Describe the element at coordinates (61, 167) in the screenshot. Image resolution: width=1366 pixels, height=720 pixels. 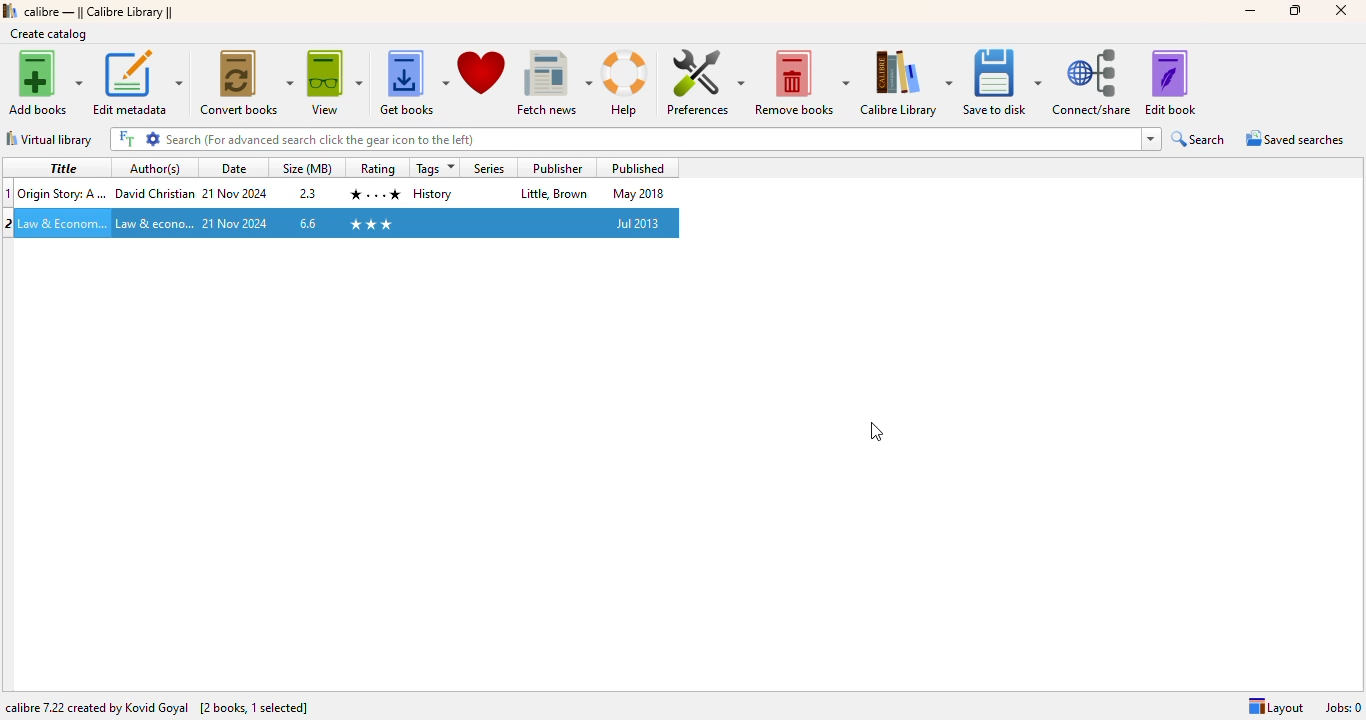
I see `title` at that location.